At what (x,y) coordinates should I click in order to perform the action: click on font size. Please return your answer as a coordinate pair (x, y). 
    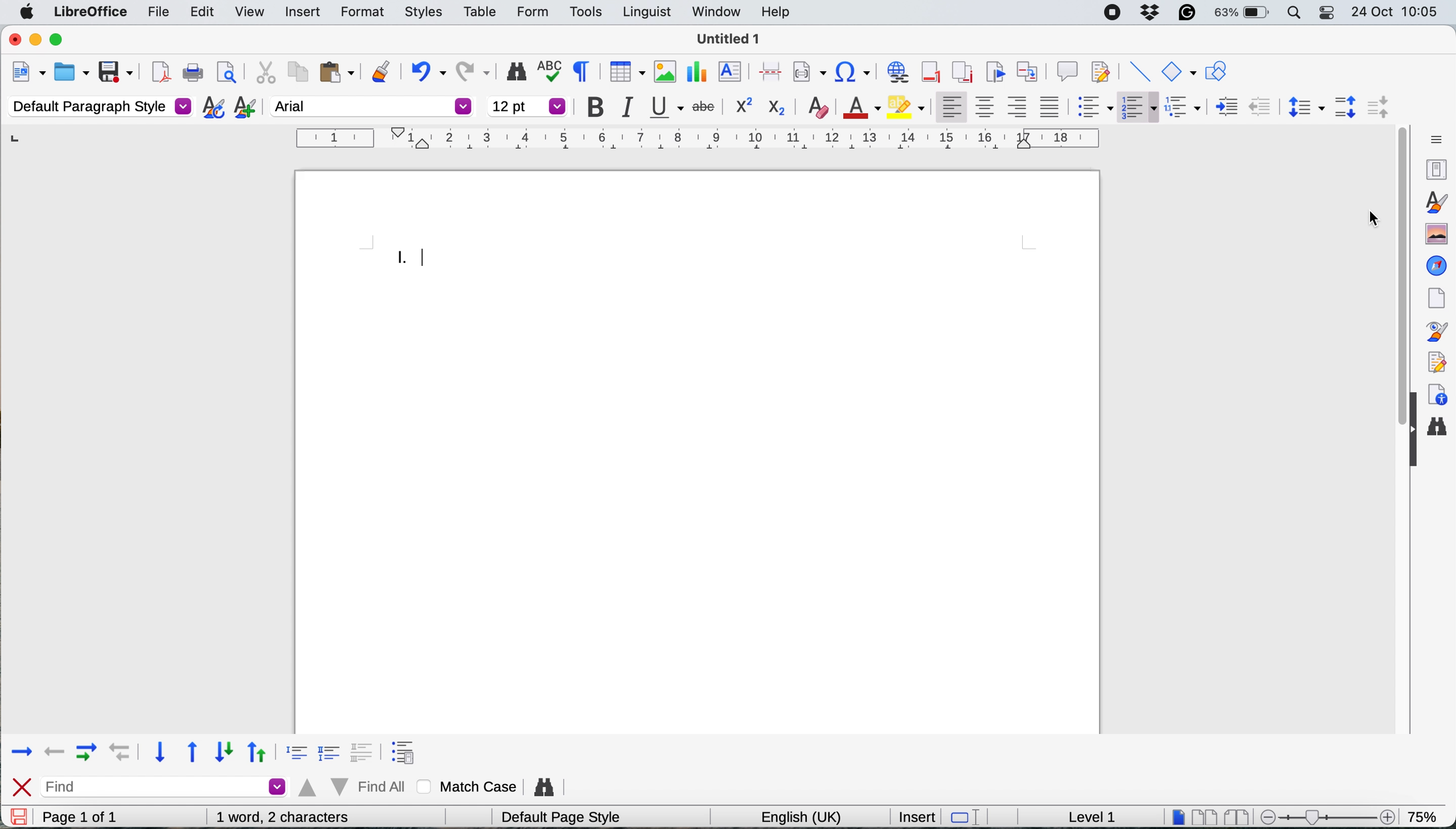
    Looking at the image, I should click on (528, 106).